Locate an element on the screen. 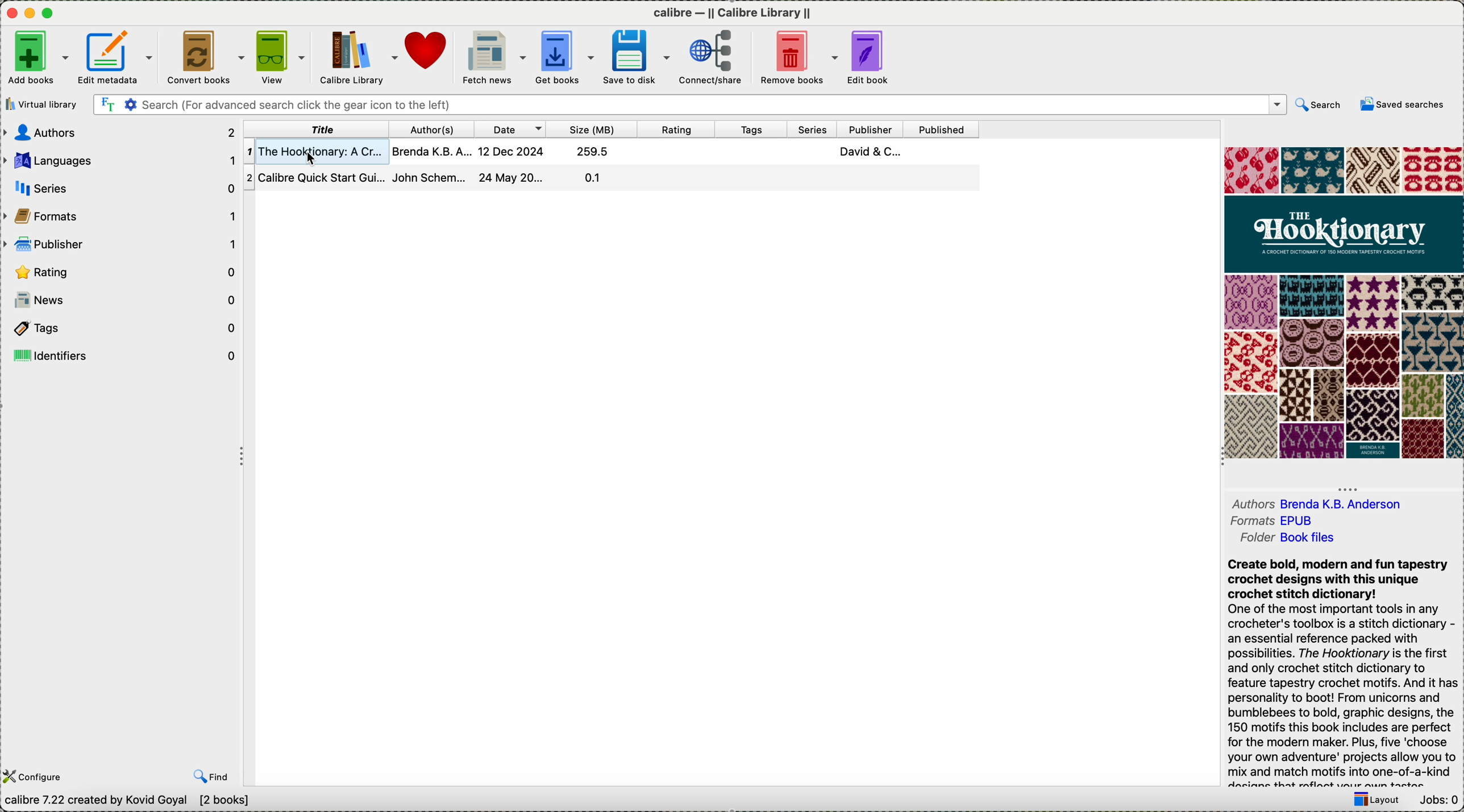  rating is located at coordinates (674, 130).